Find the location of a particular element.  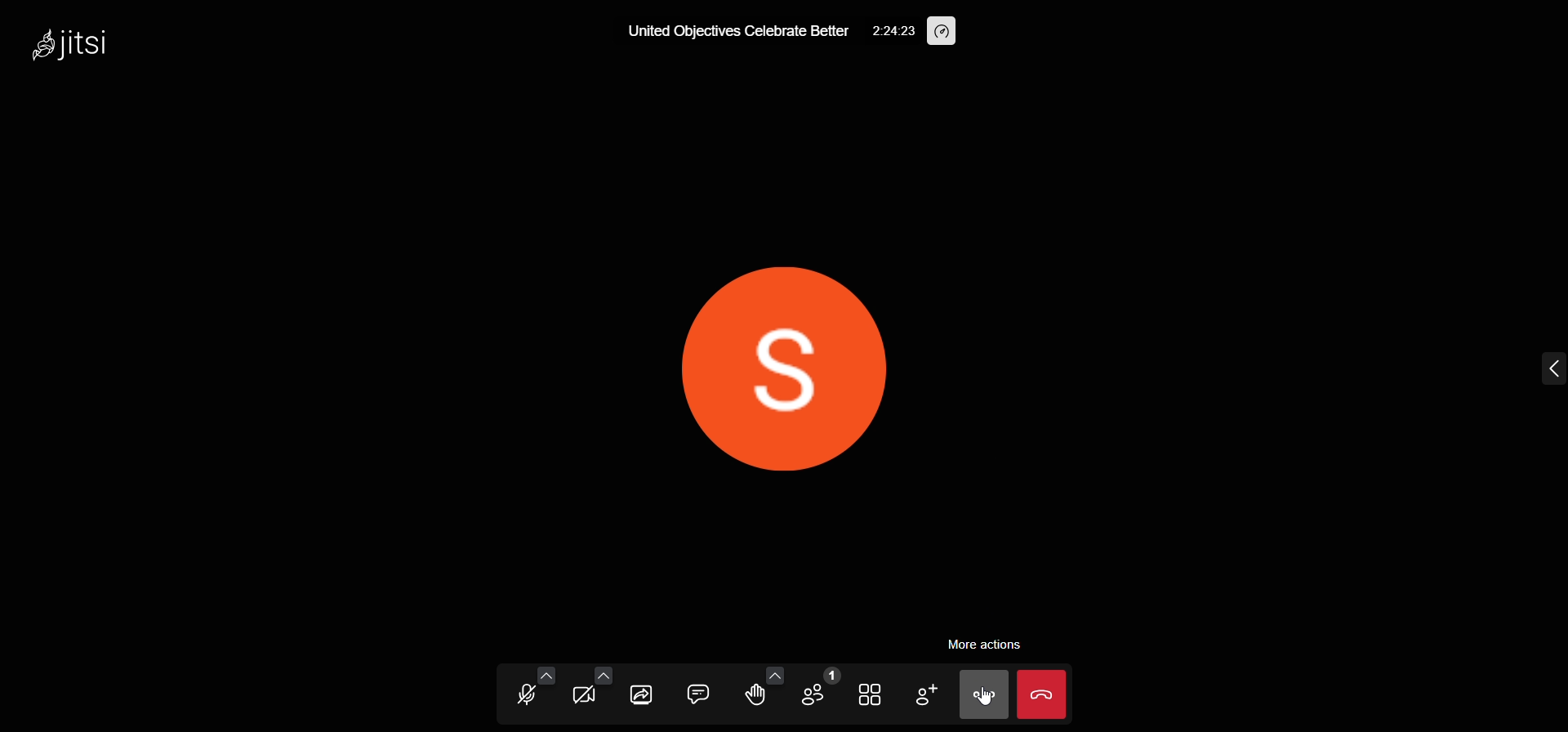

participants is located at coordinates (818, 688).